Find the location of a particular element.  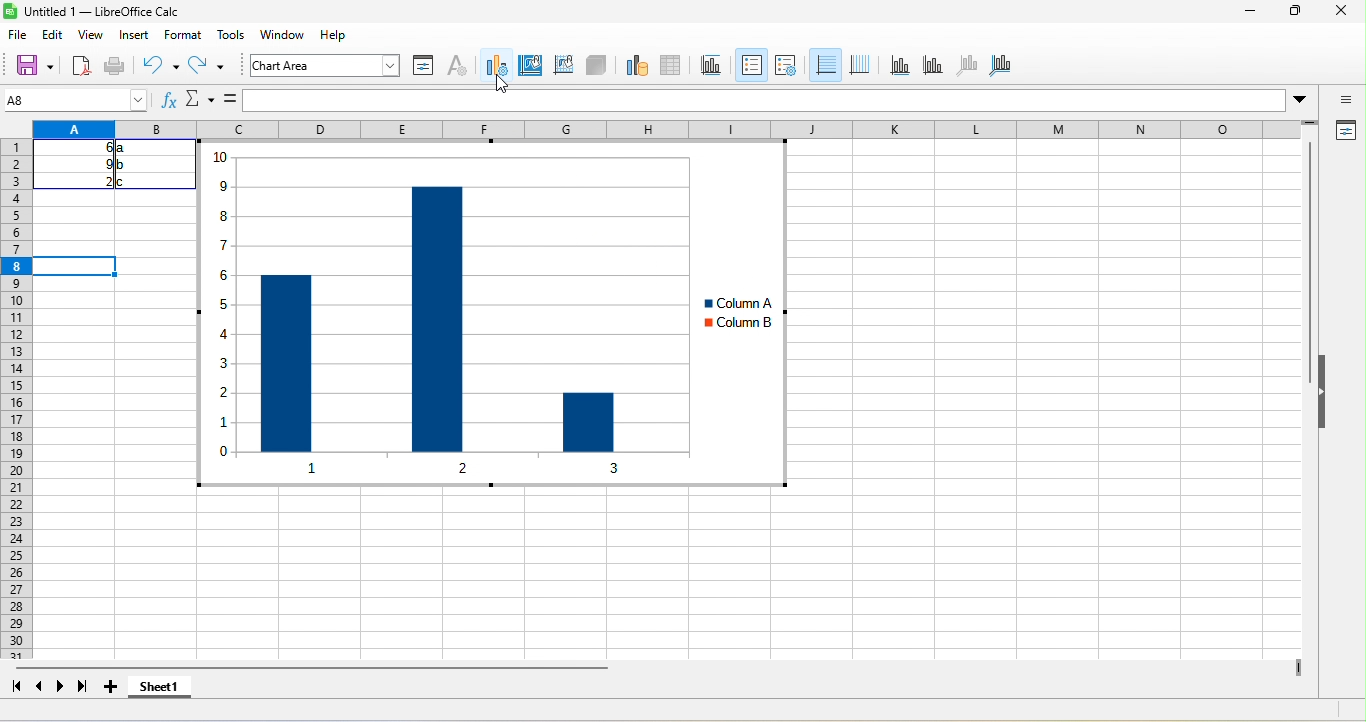

redo is located at coordinates (208, 66).